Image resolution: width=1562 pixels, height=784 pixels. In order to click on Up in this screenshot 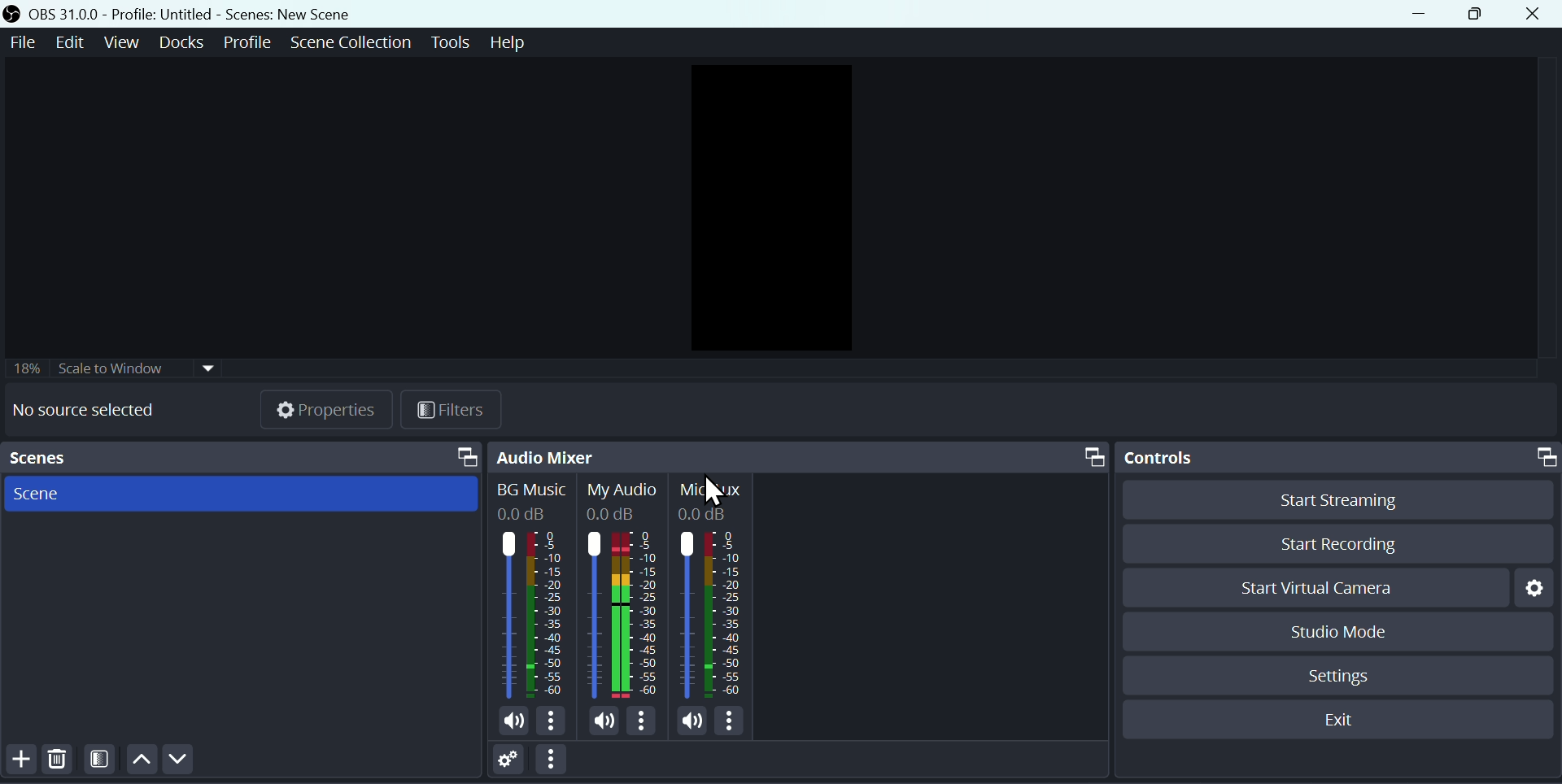, I will do `click(141, 761)`.